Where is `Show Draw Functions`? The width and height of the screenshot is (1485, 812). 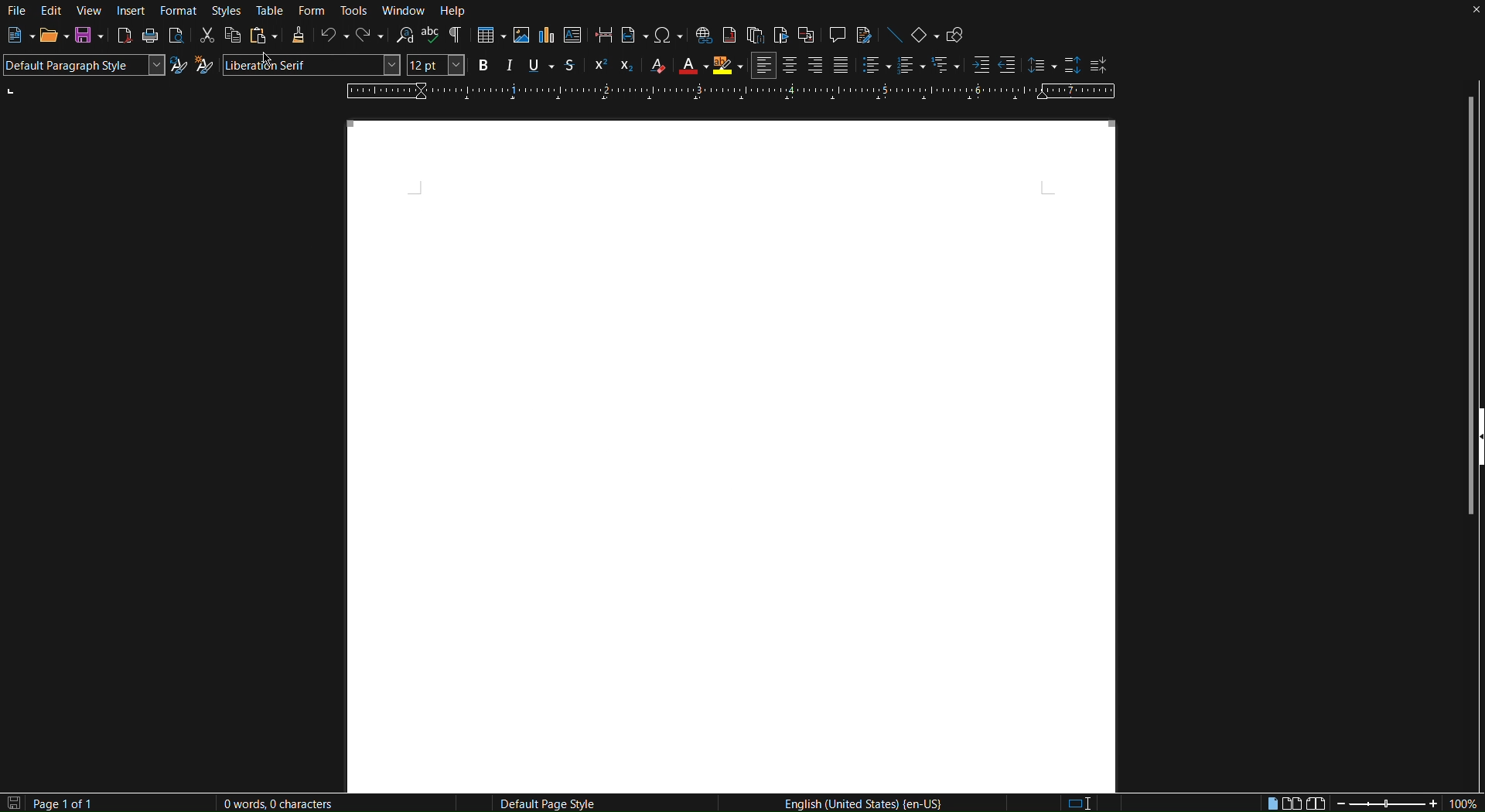
Show Draw Functions is located at coordinates (955, 37).